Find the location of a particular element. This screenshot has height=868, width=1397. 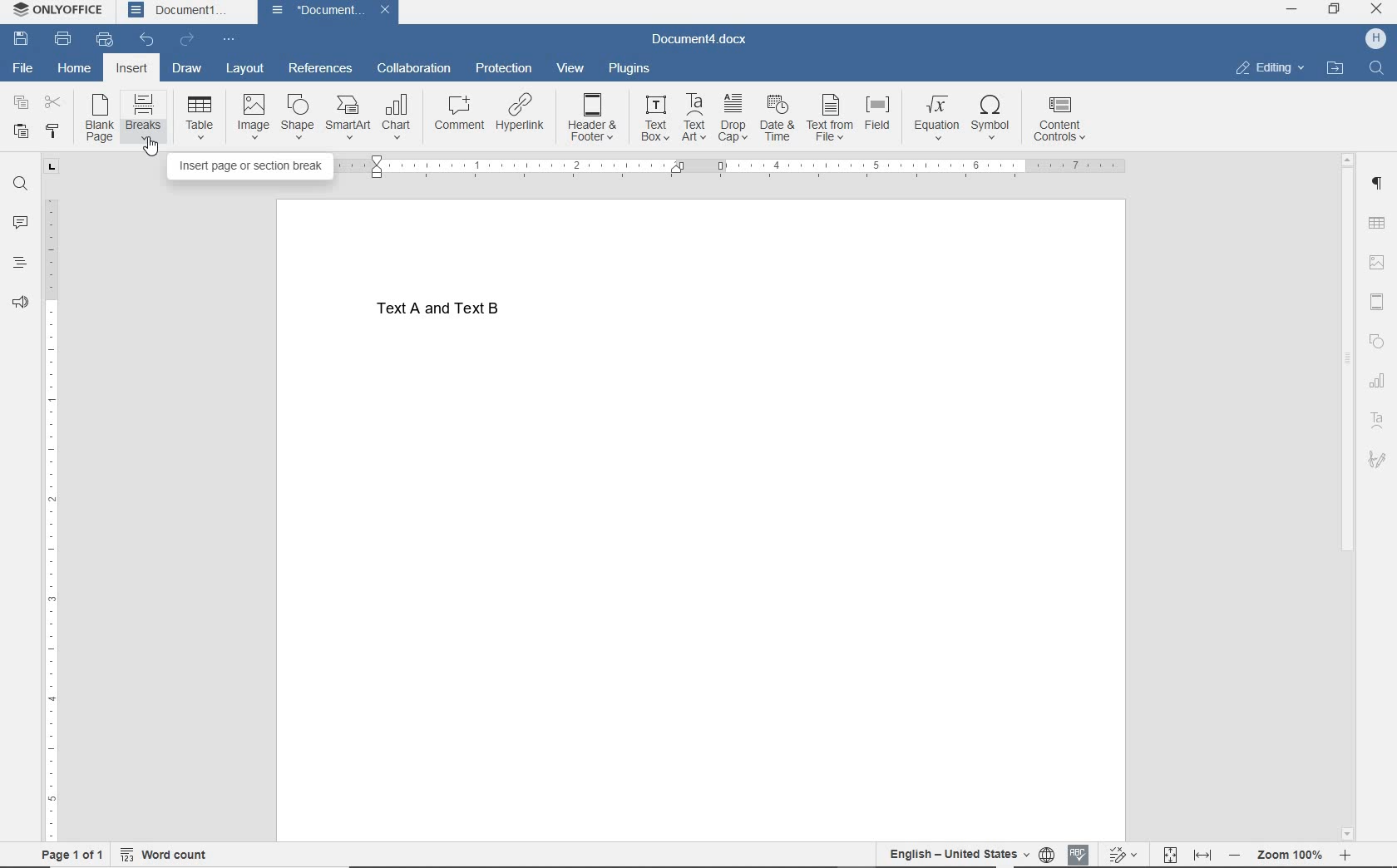

document is located at coordinates (318, 12).